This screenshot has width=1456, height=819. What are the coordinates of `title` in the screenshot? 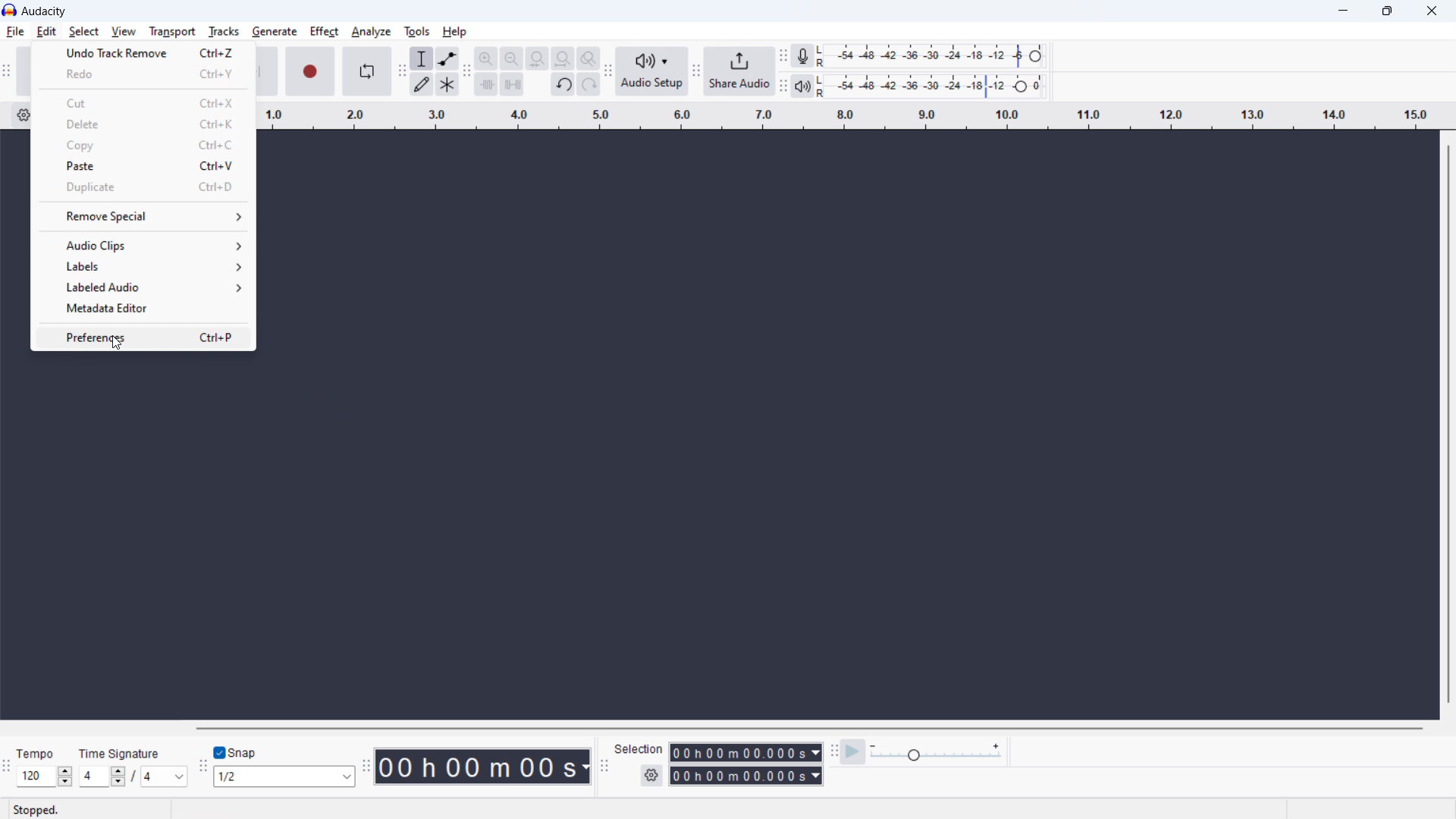 It's located at (44, 11).